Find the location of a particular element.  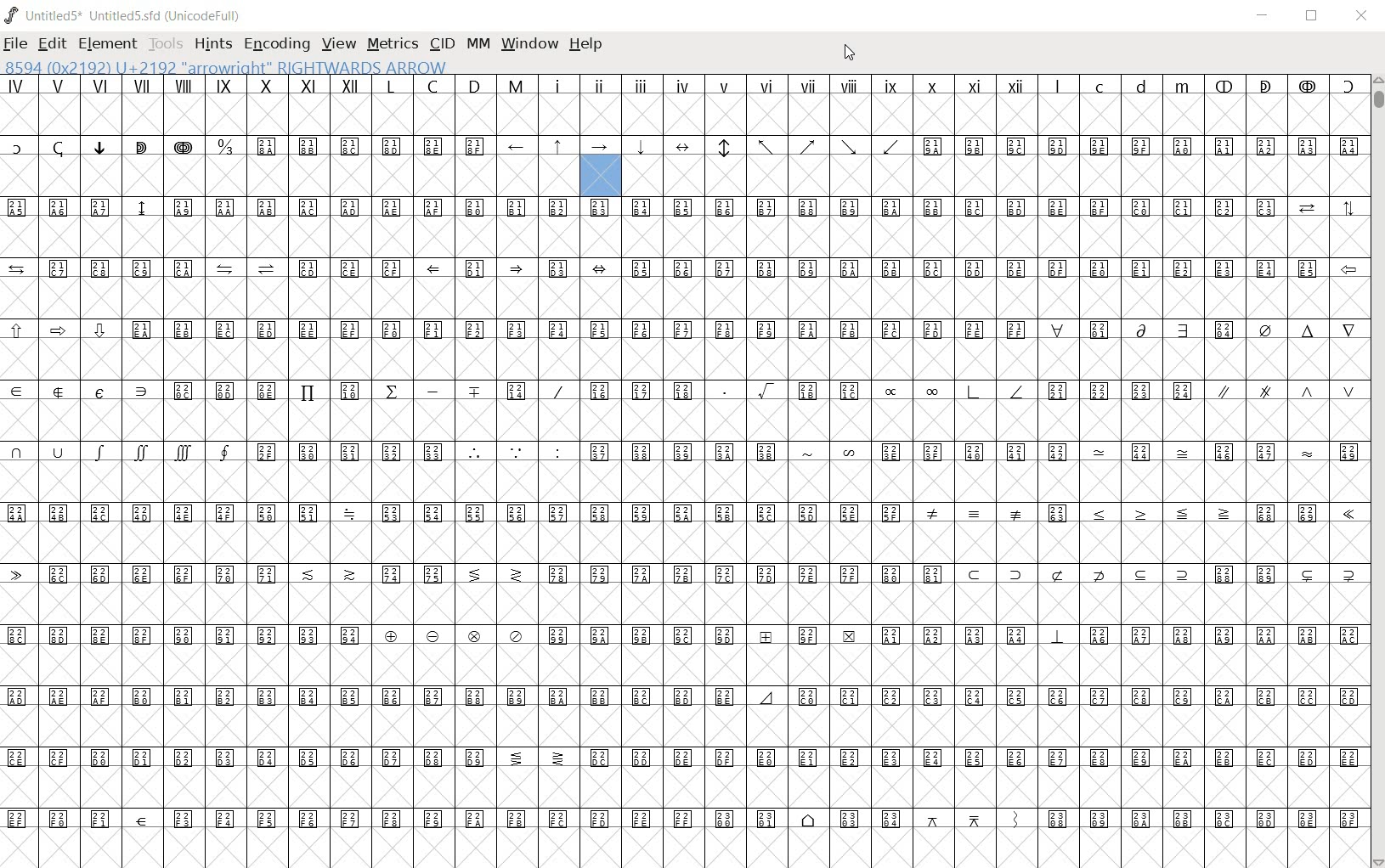

FILE is located at coordinates (16, 42).